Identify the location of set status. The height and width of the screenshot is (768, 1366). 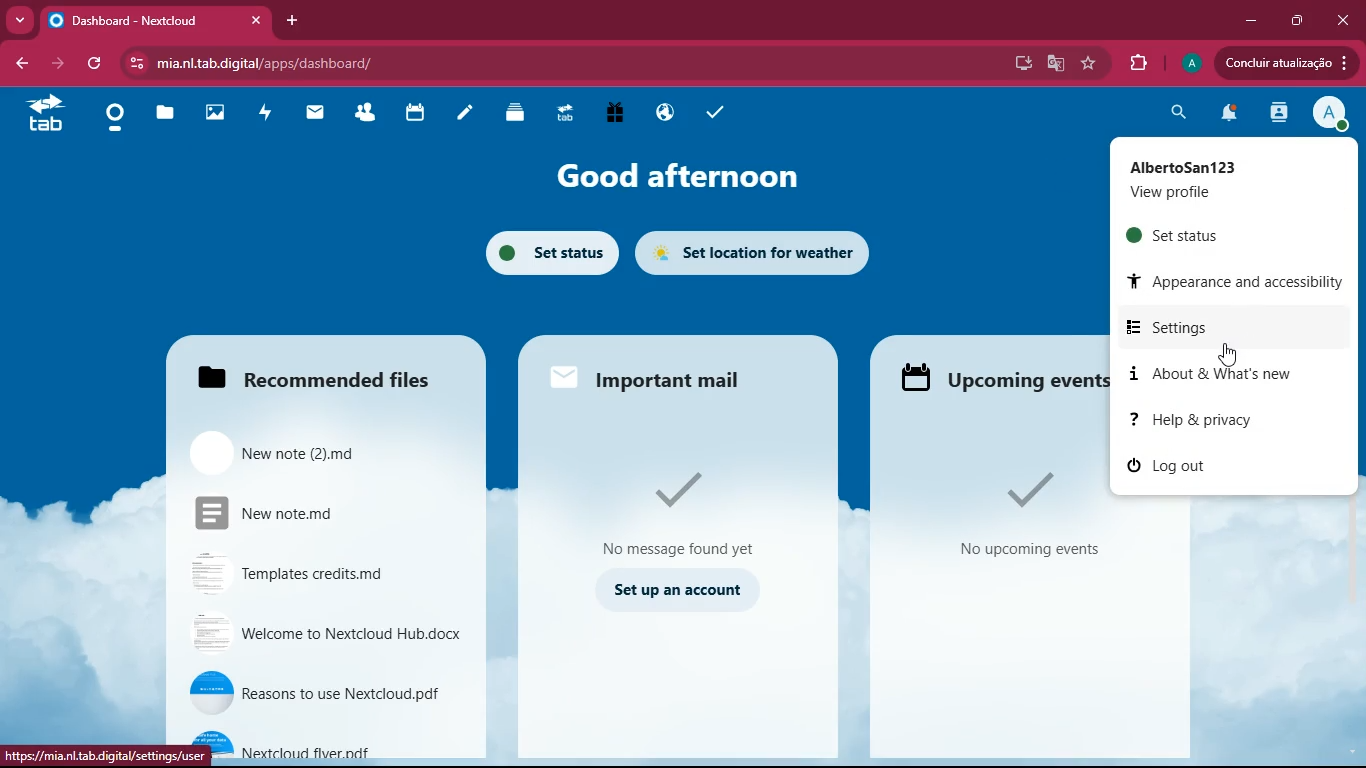
(1207, 238).